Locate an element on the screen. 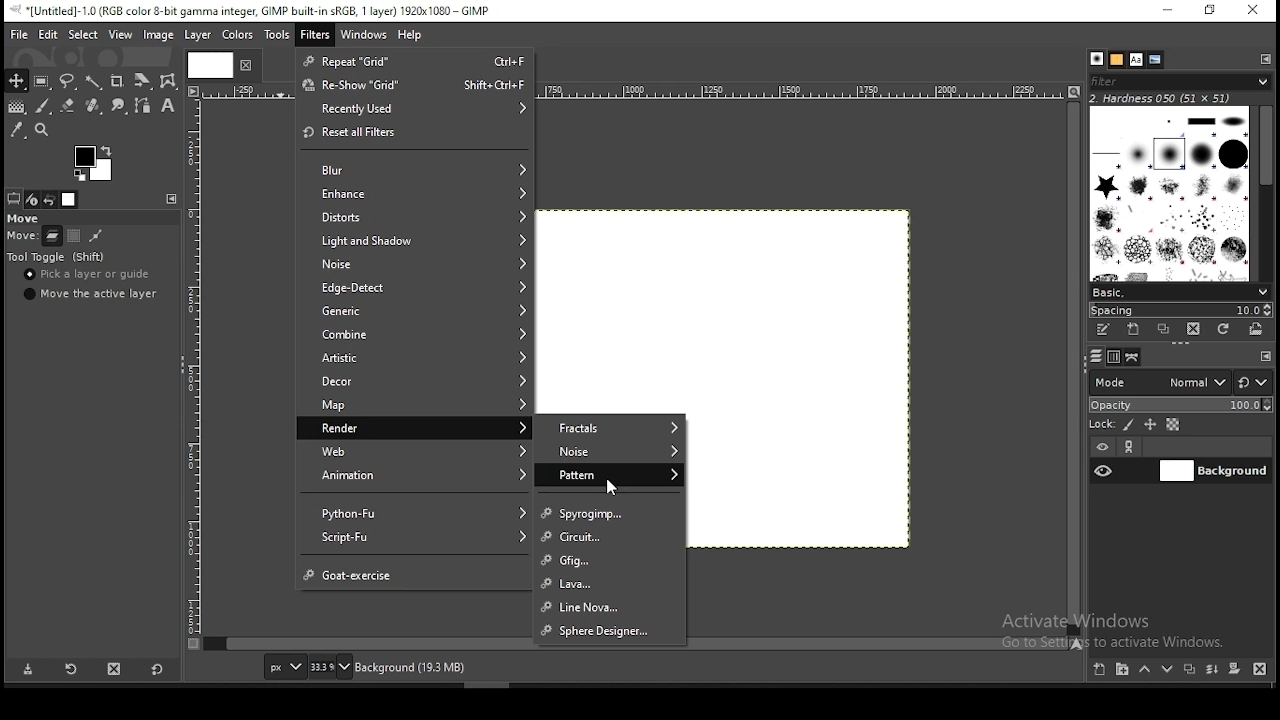  minimize is located at coordinates (1170, 12).